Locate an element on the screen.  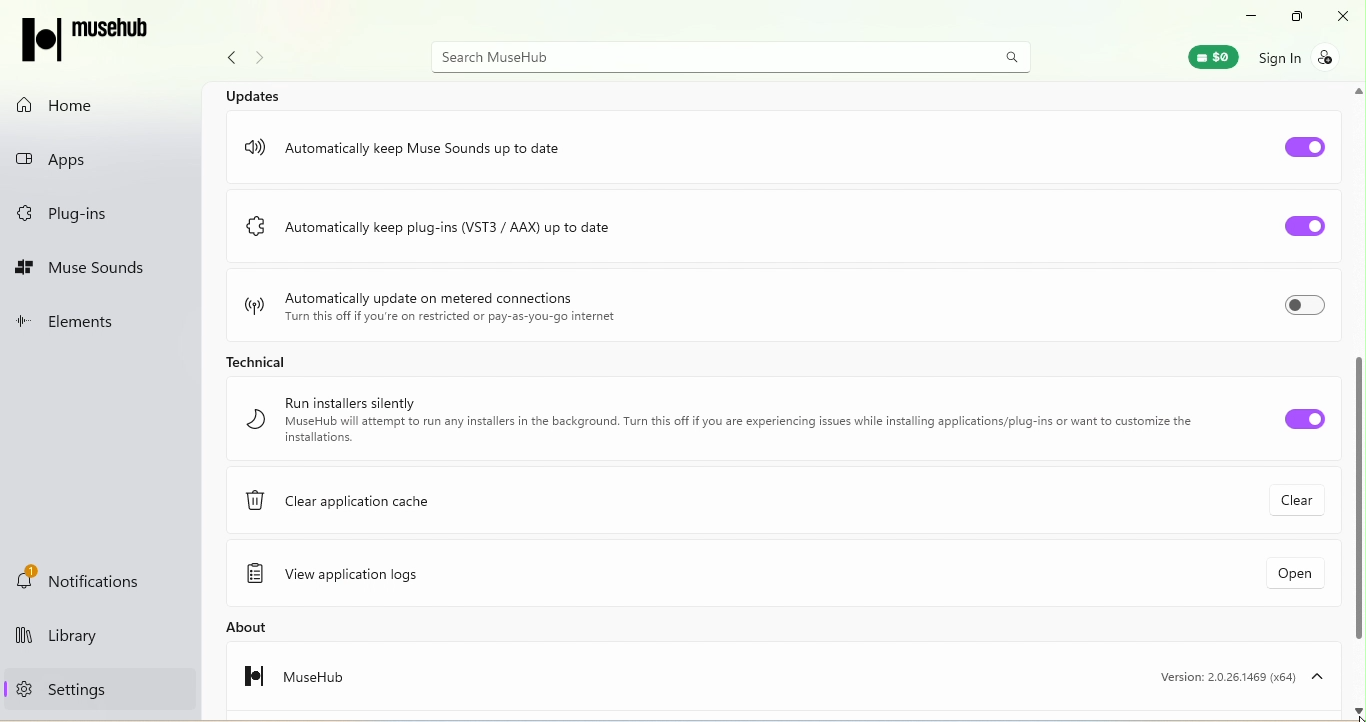
Automatically keep muse sounds up to date is located at coordinates (417, 141).